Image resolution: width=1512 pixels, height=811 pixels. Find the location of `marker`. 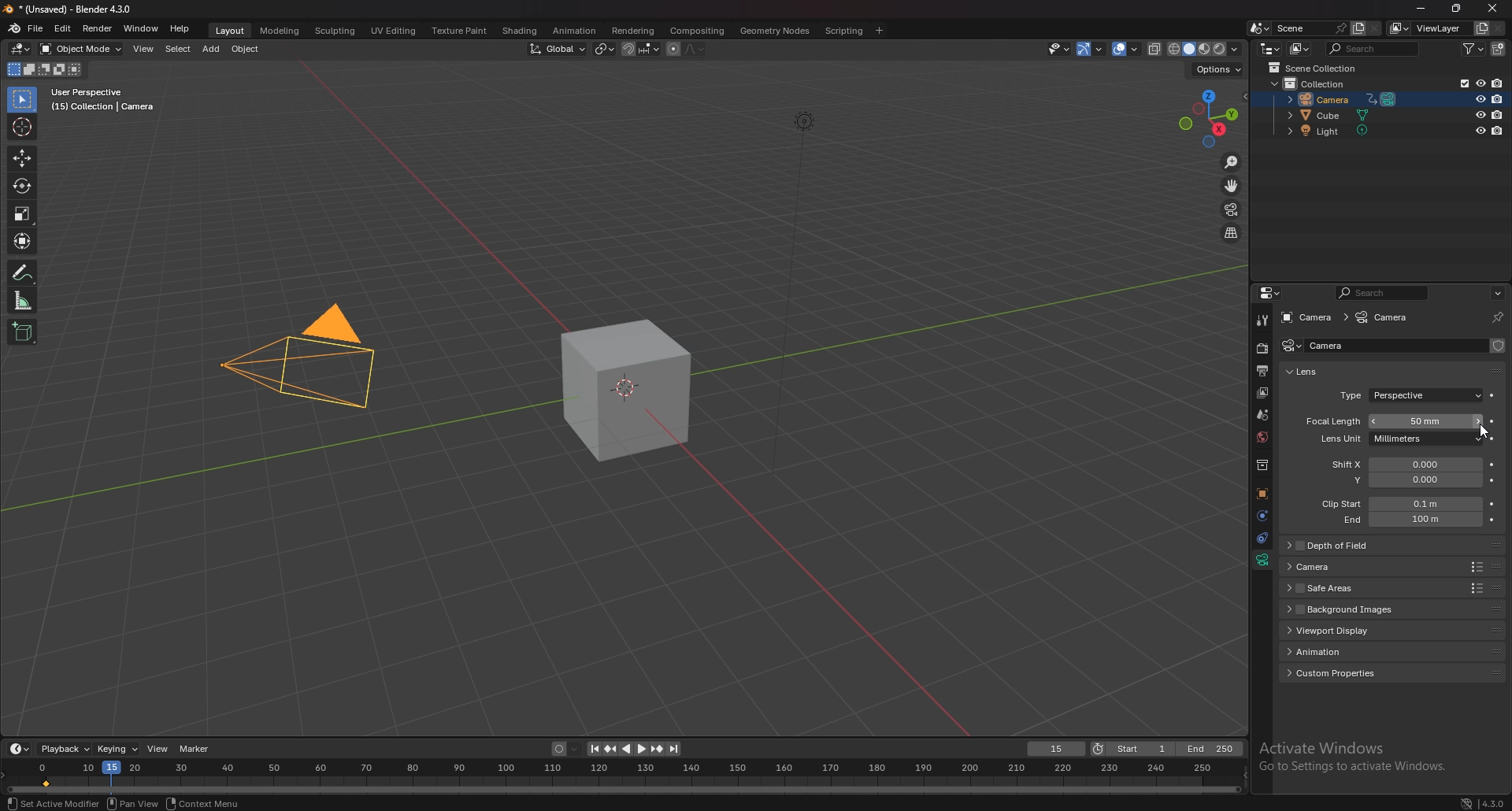

marker is located at coordinates (196, 749).